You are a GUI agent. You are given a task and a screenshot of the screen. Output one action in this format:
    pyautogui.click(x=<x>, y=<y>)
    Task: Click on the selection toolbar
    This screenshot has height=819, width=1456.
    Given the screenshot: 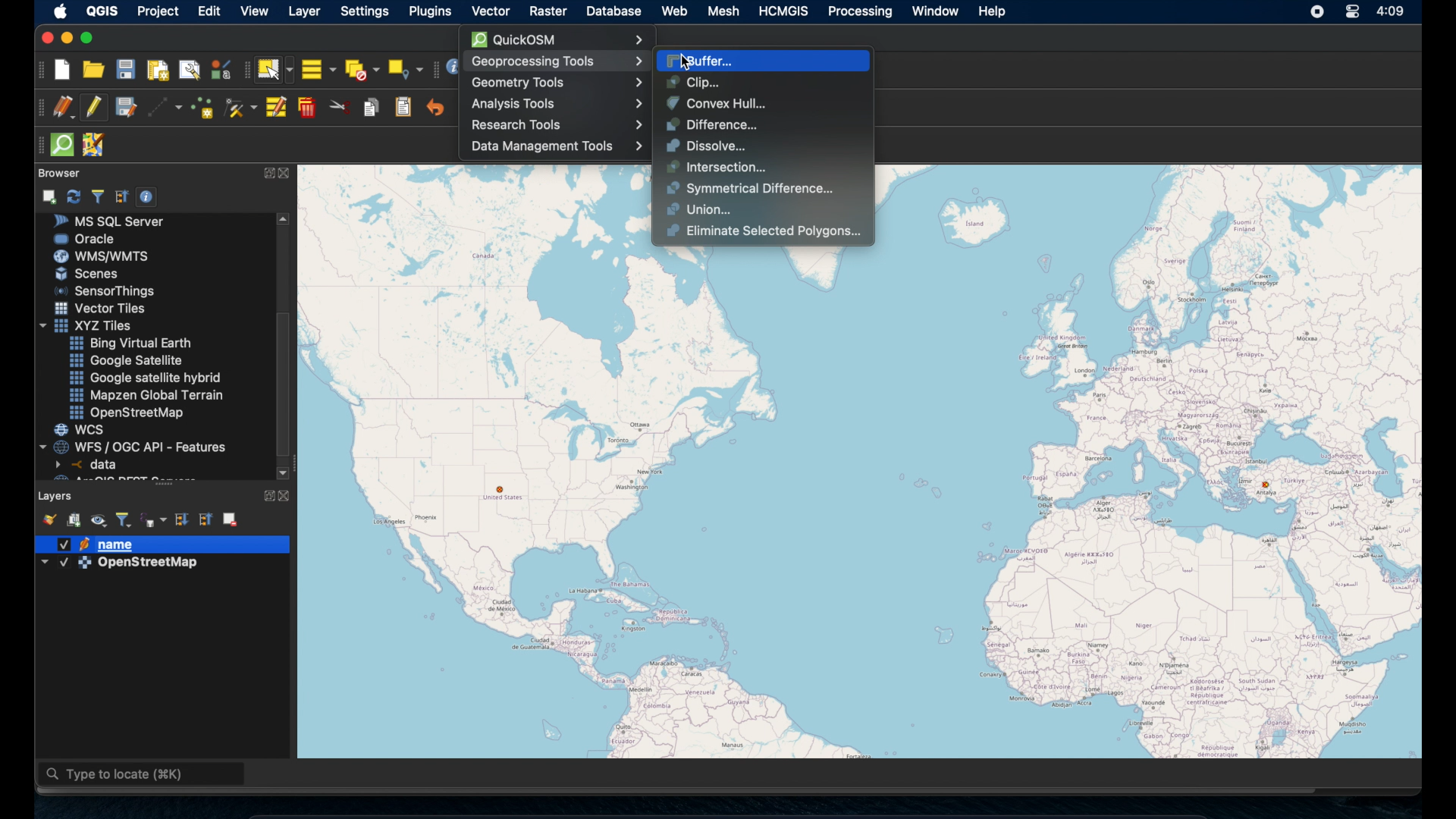 What is the action you would take?
    pyautogui.click(x=243, y=72)
    